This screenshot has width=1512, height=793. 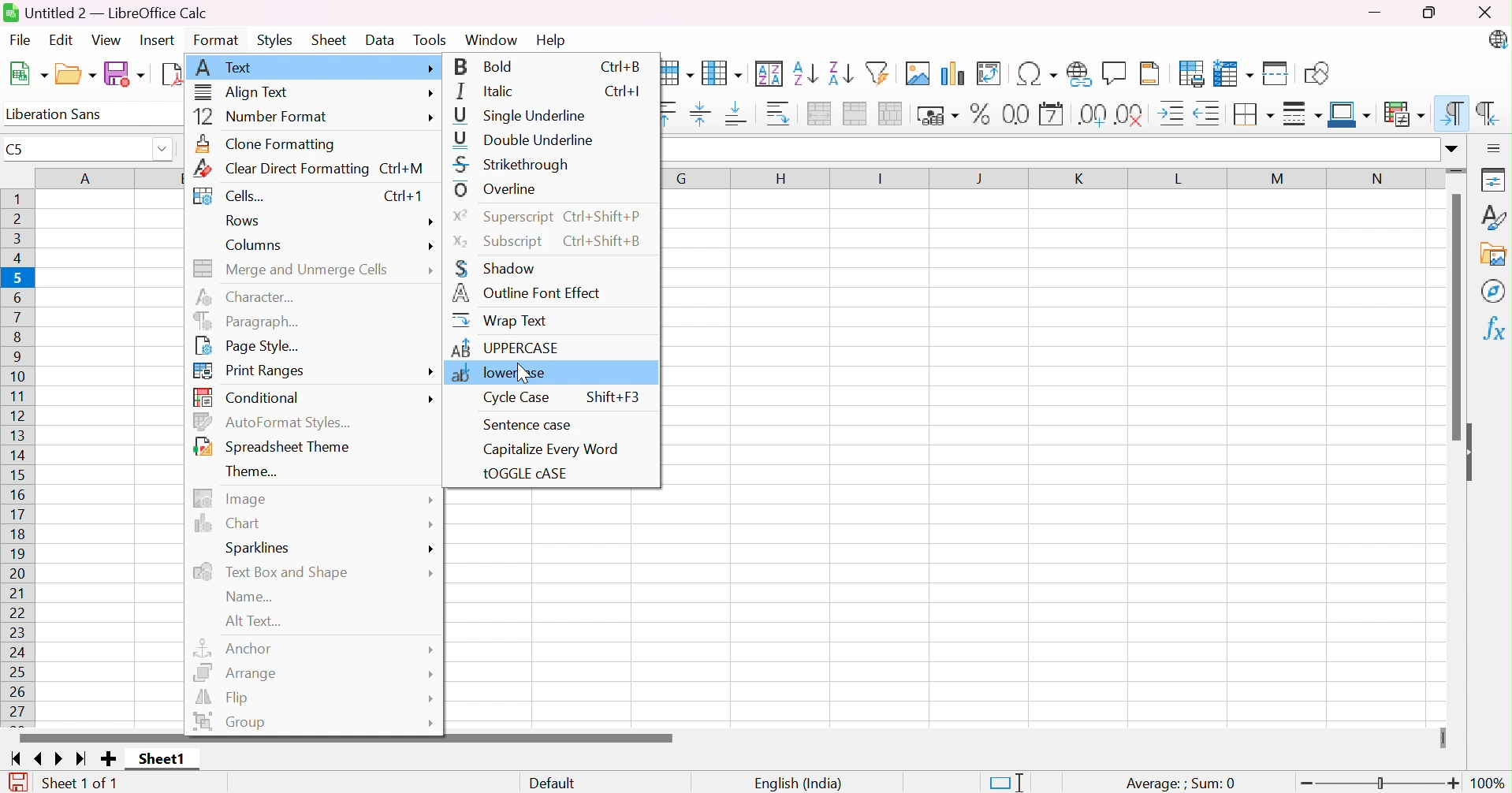 I want to click on Ctrl+Shift+P, so click(x=605, y=214).